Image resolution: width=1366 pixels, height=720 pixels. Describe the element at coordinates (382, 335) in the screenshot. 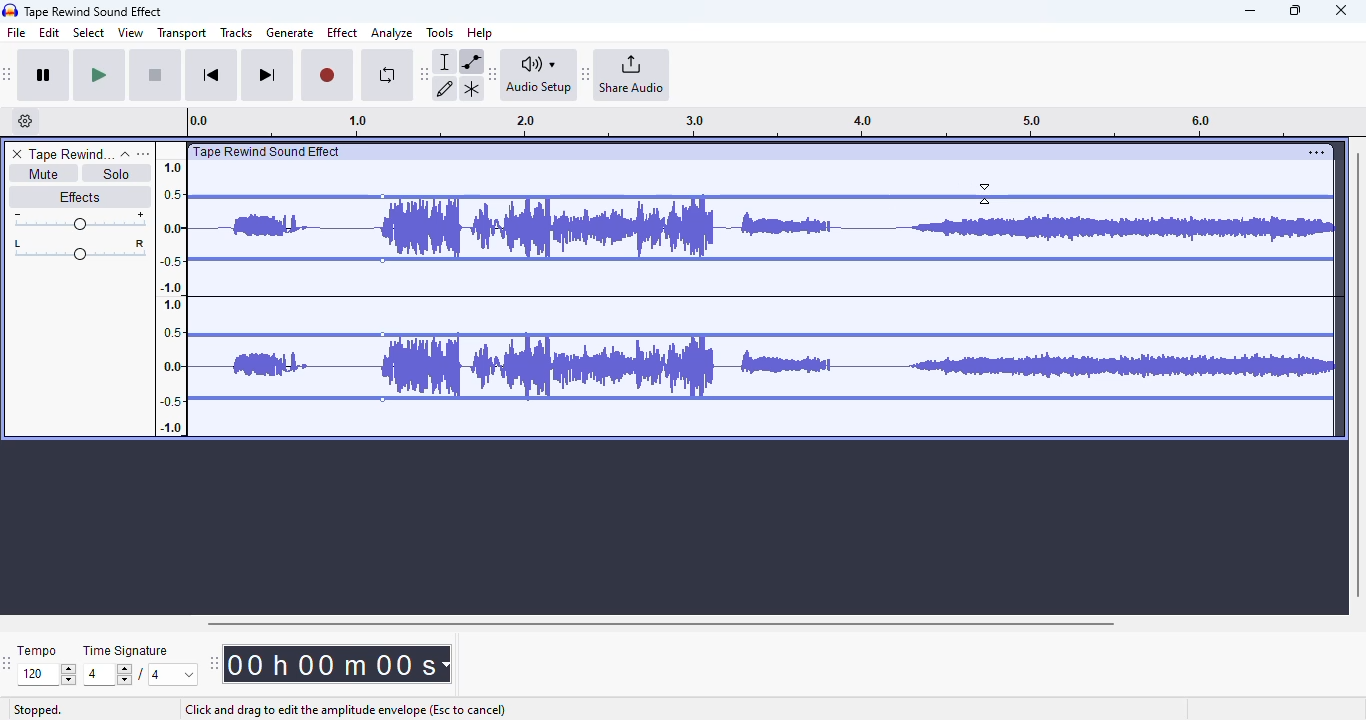

I see `Control point` at that location.